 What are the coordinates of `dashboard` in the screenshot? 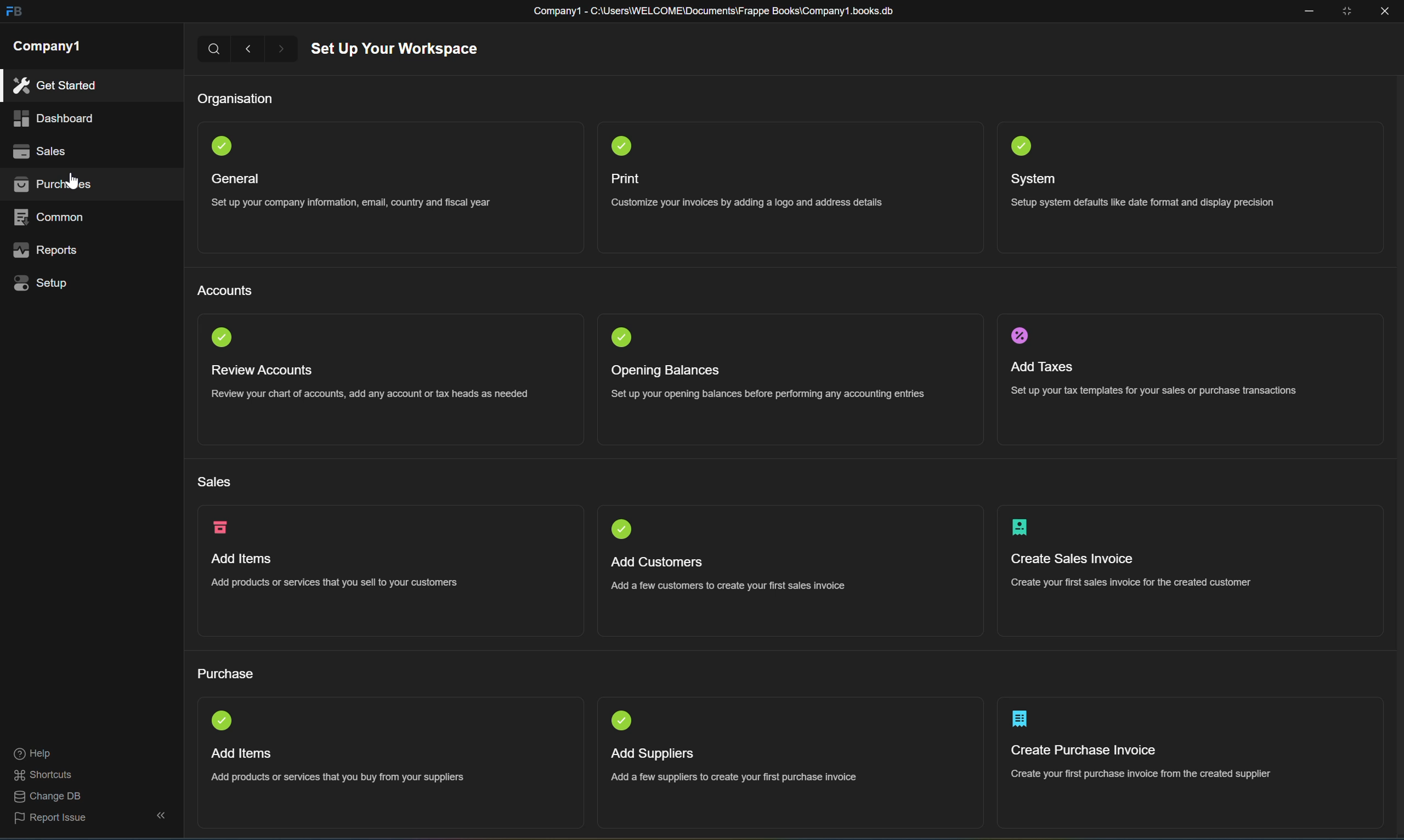 It's located at (52, 119).